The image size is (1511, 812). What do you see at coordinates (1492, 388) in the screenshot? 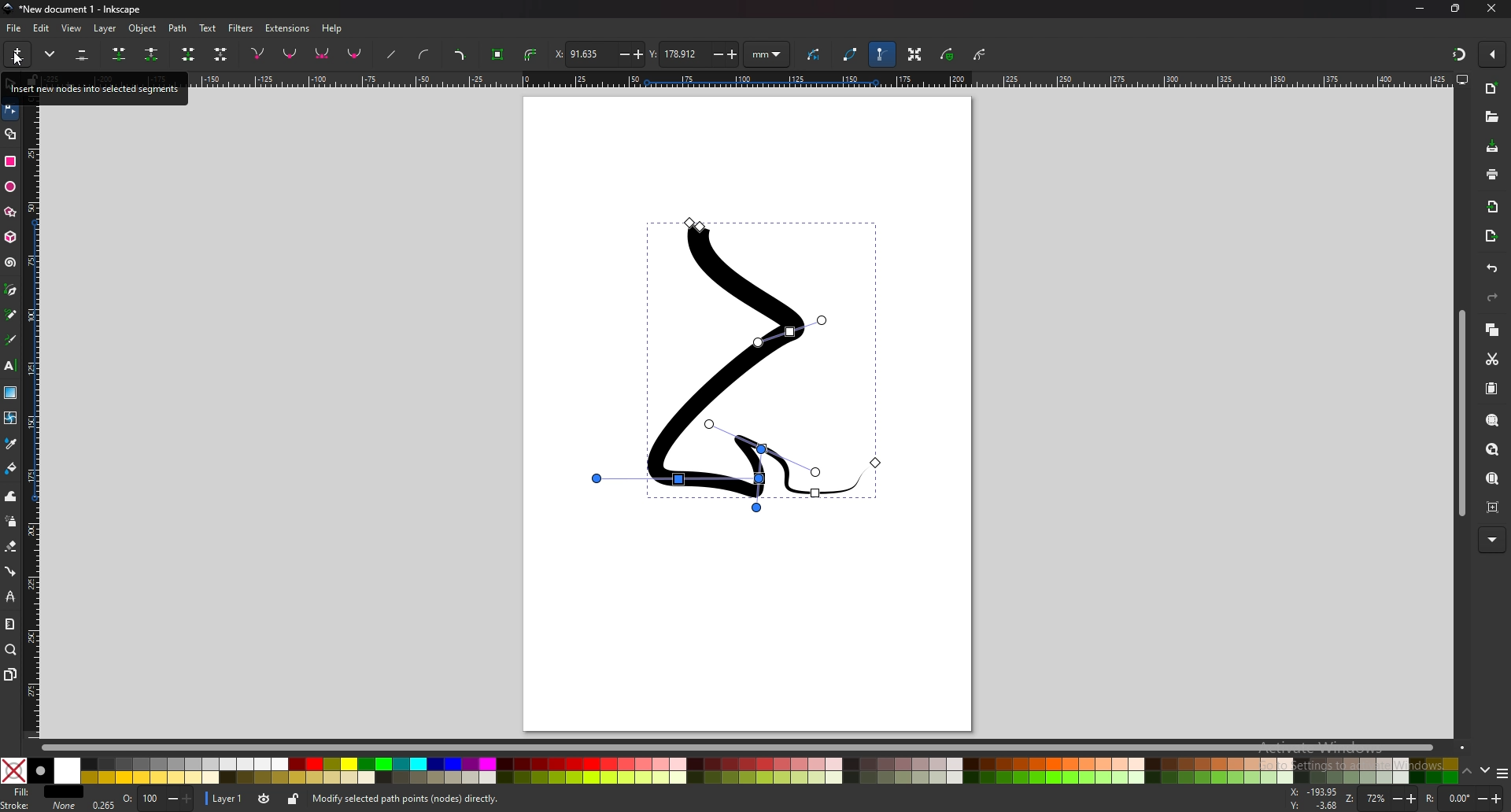
I see `paste` at bounding box center [1492, 388].